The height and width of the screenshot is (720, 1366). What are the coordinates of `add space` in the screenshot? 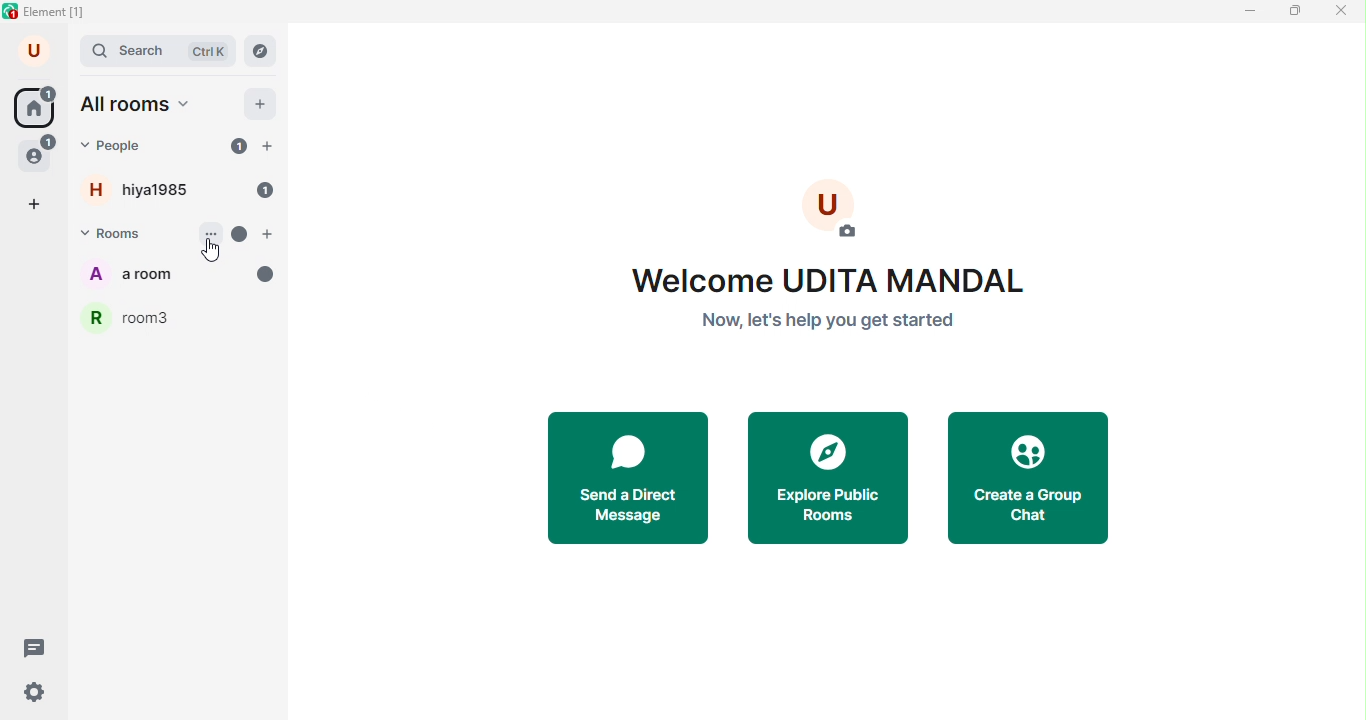 It's located at (38, 203).